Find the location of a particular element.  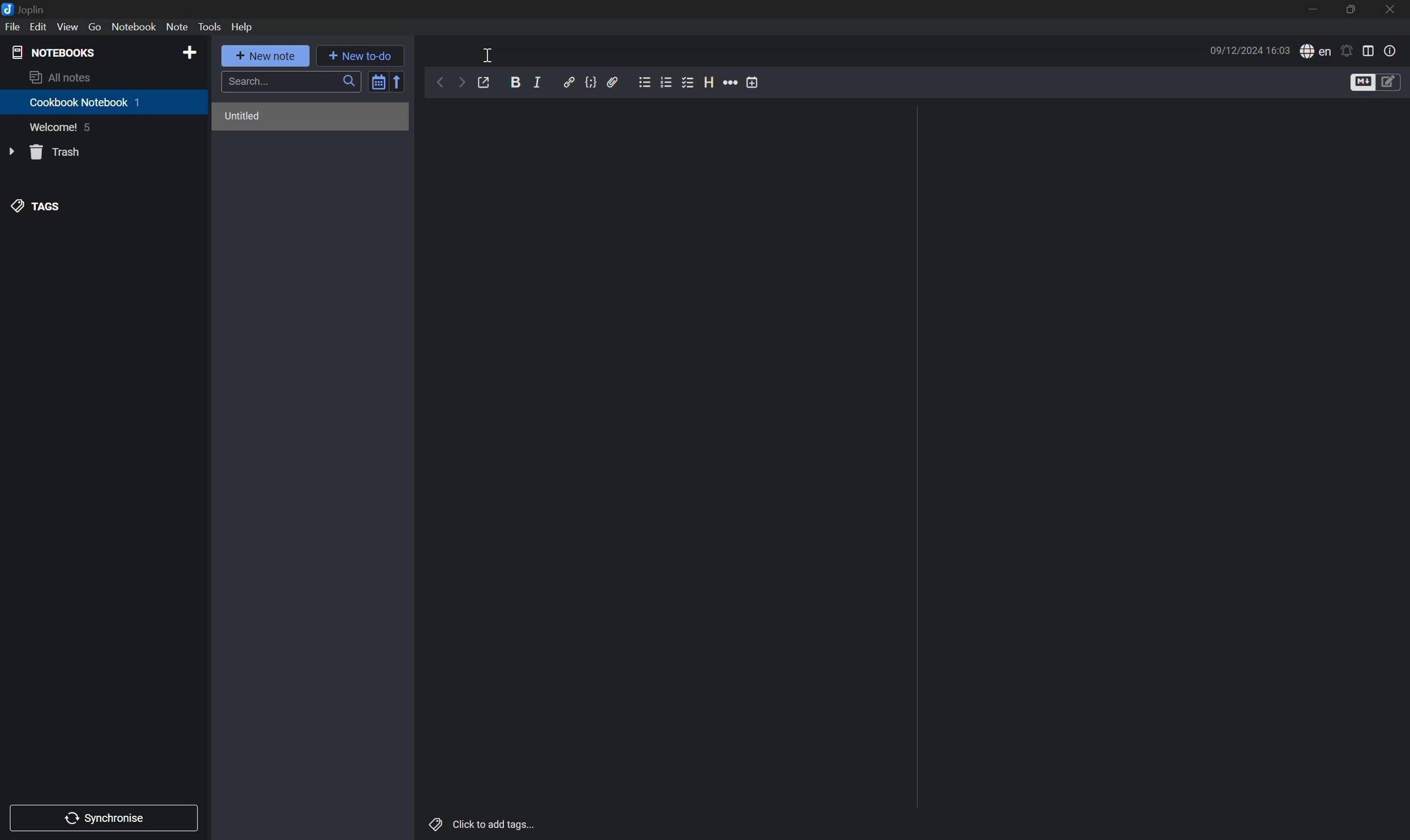

Italic is located at coordinates (540, 82).